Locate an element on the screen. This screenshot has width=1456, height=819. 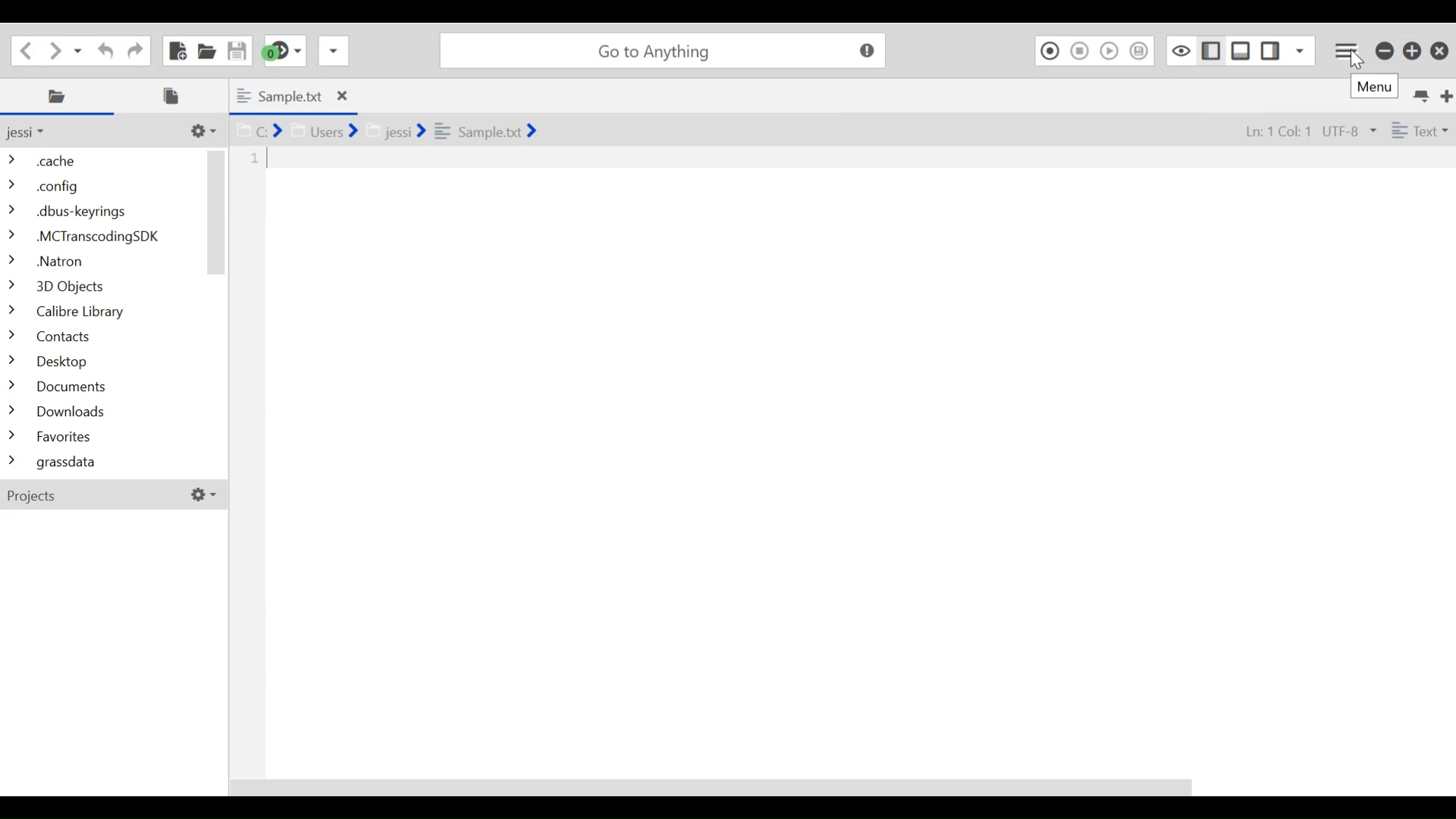
Show/Hide Bottom Pane is located at coordinates (1241, 50).